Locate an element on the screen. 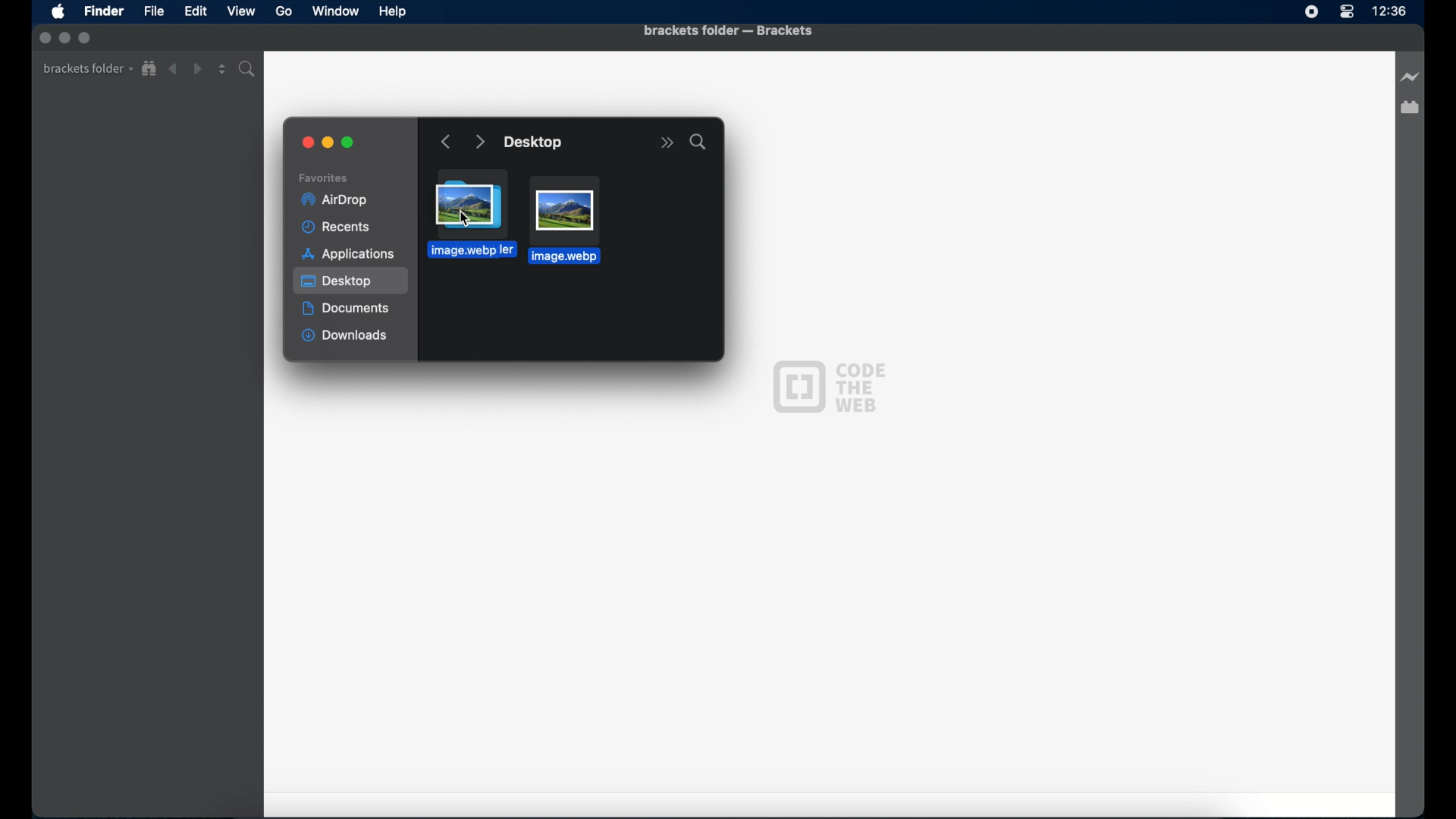 Image resolution: width=1456 pixels, height=819 pixels. downloads is located at coordinates (345, 337).